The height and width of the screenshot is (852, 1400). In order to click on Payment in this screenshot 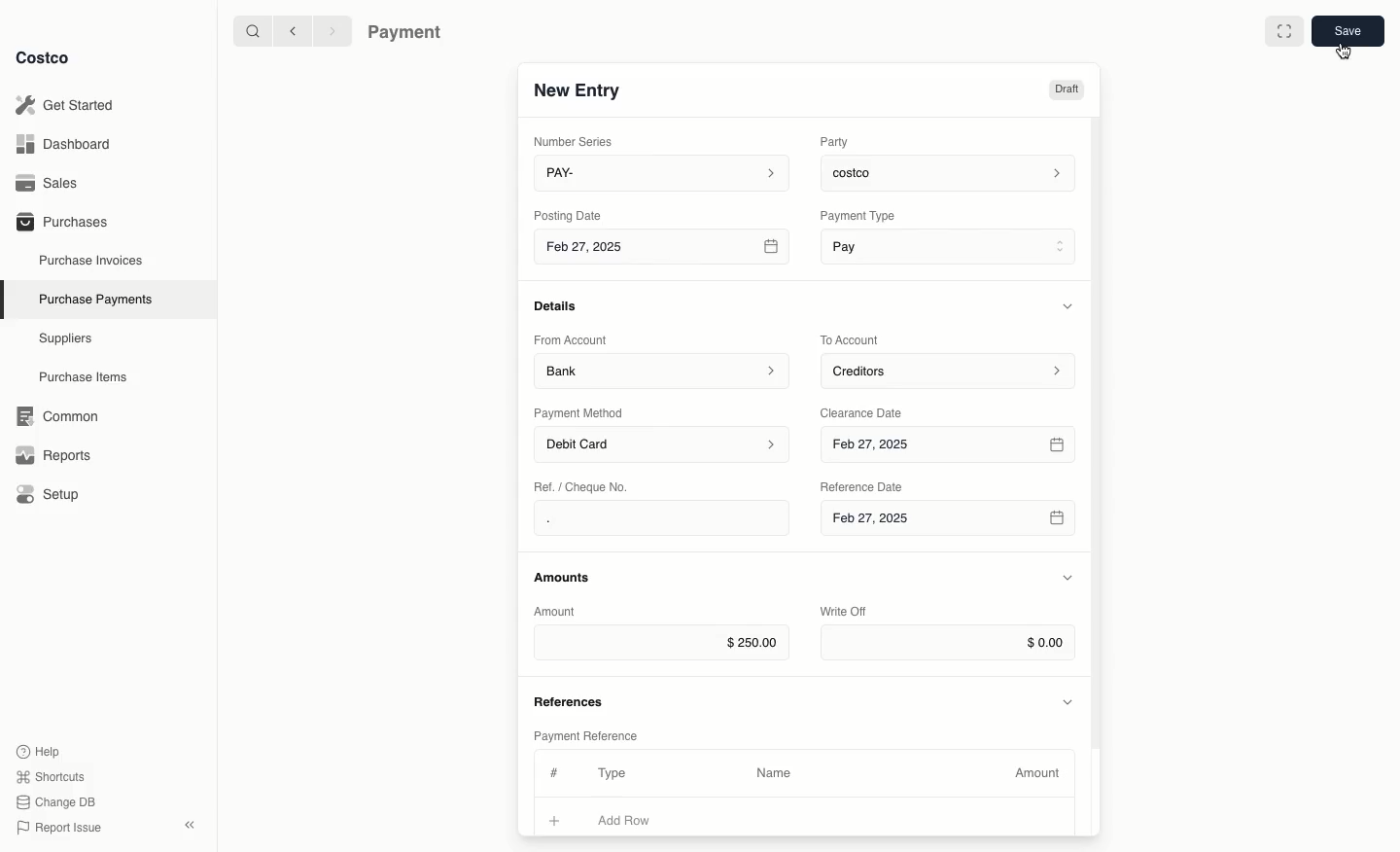, I will do `click(409, 34)`.